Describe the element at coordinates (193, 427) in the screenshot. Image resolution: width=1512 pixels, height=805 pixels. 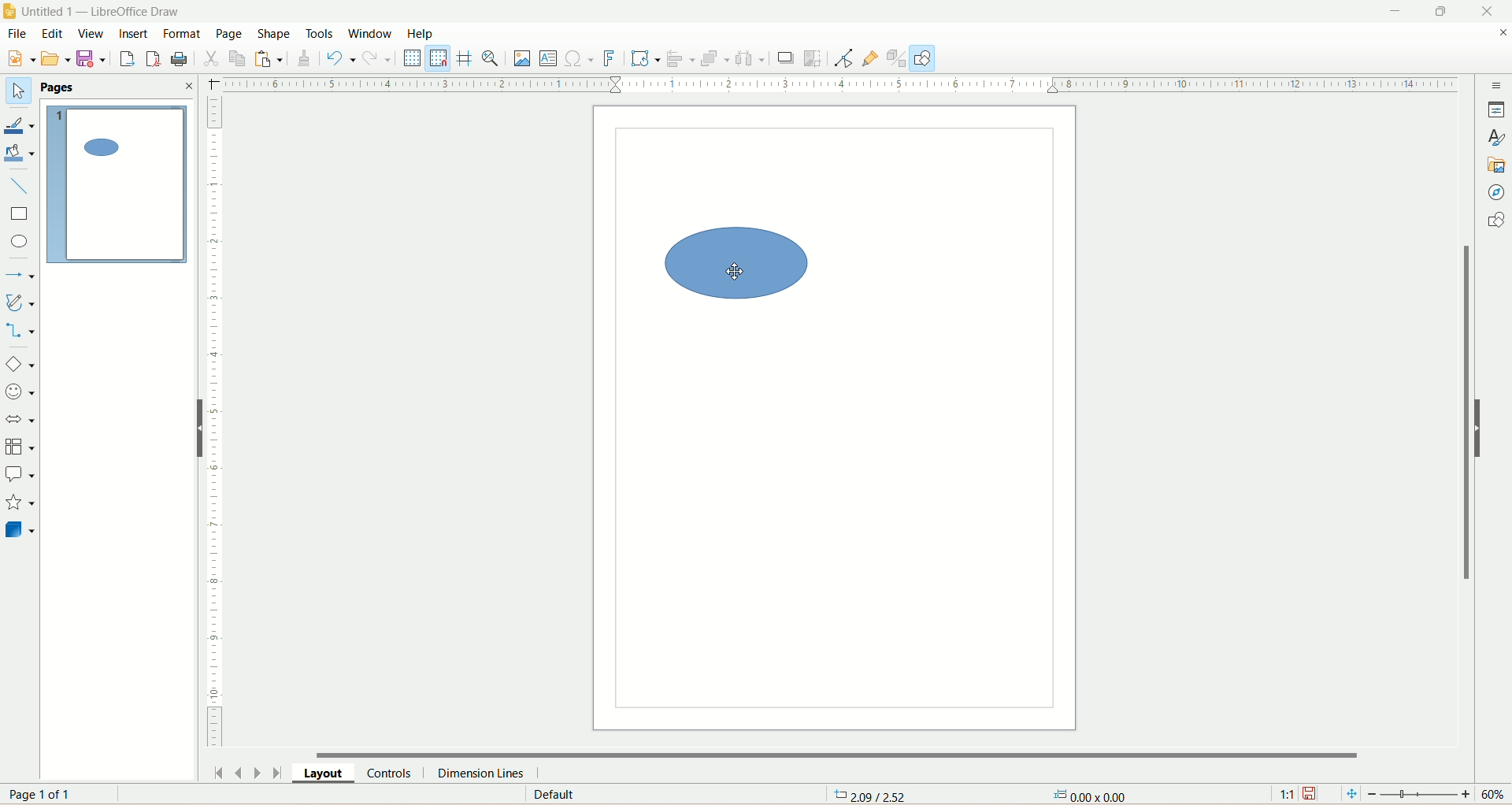
I see `hide` at that location.